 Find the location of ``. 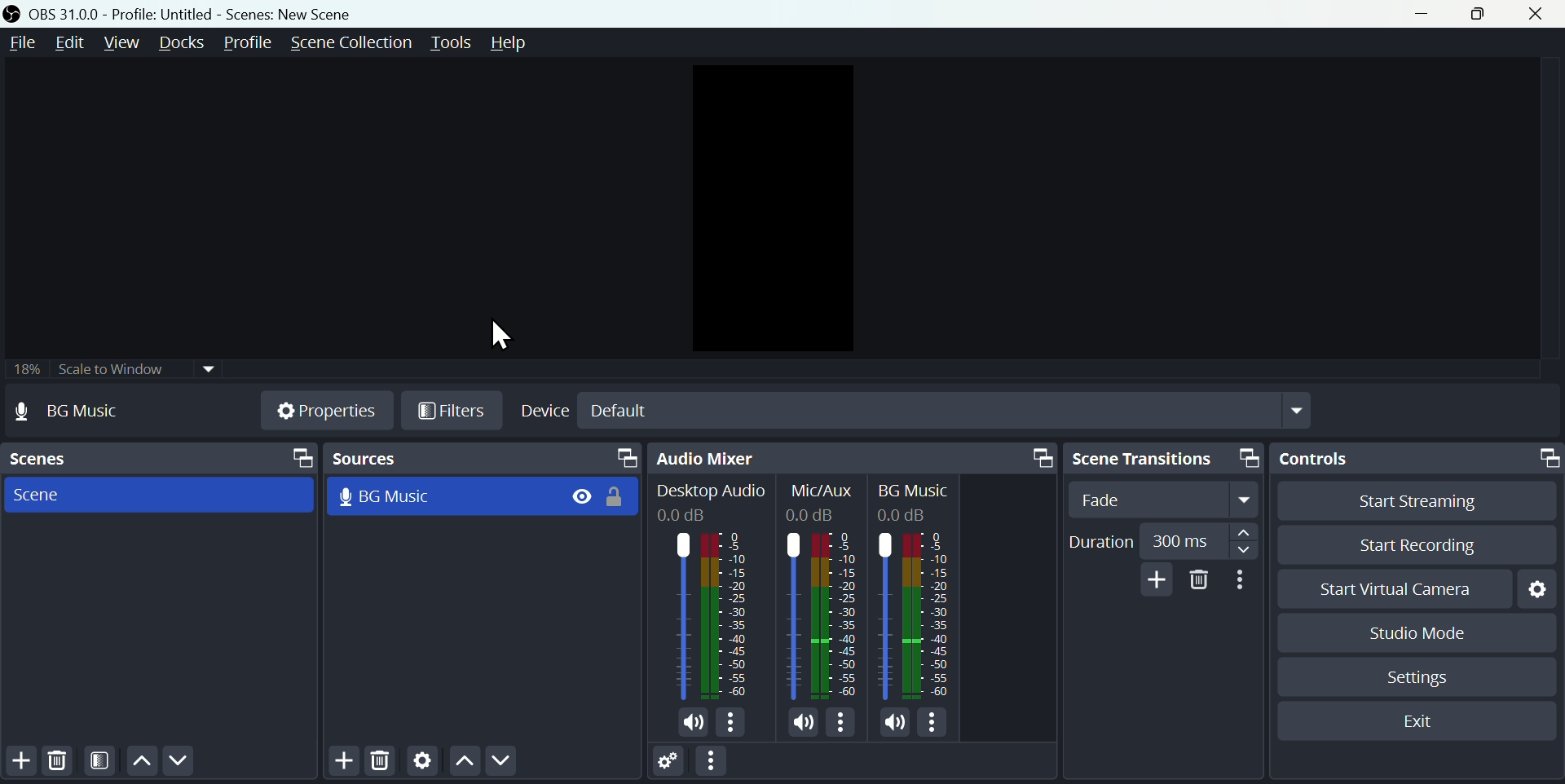

 is located at coordinates (824, 614).